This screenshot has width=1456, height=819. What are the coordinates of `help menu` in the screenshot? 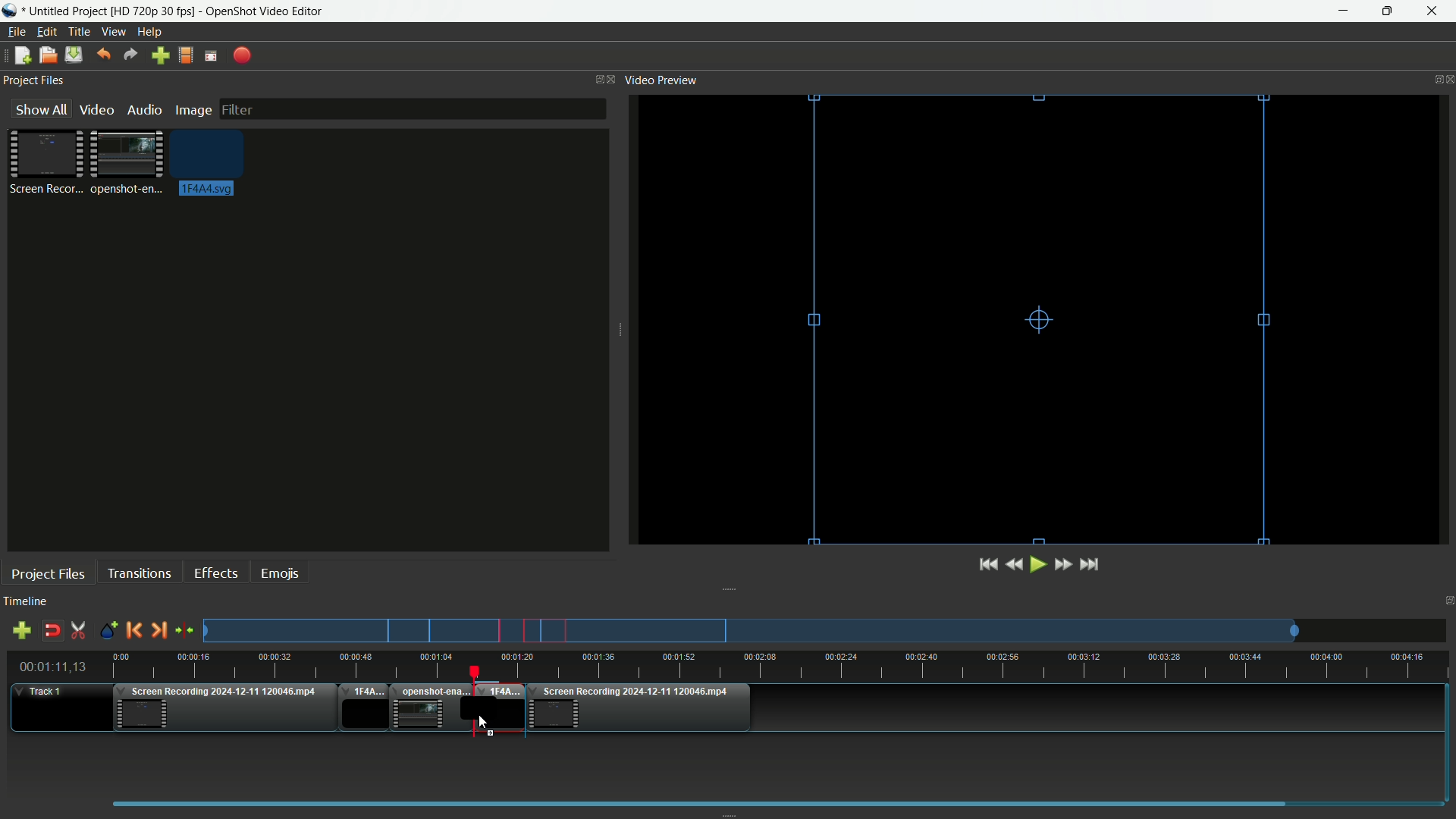 It's located at (151, 33).